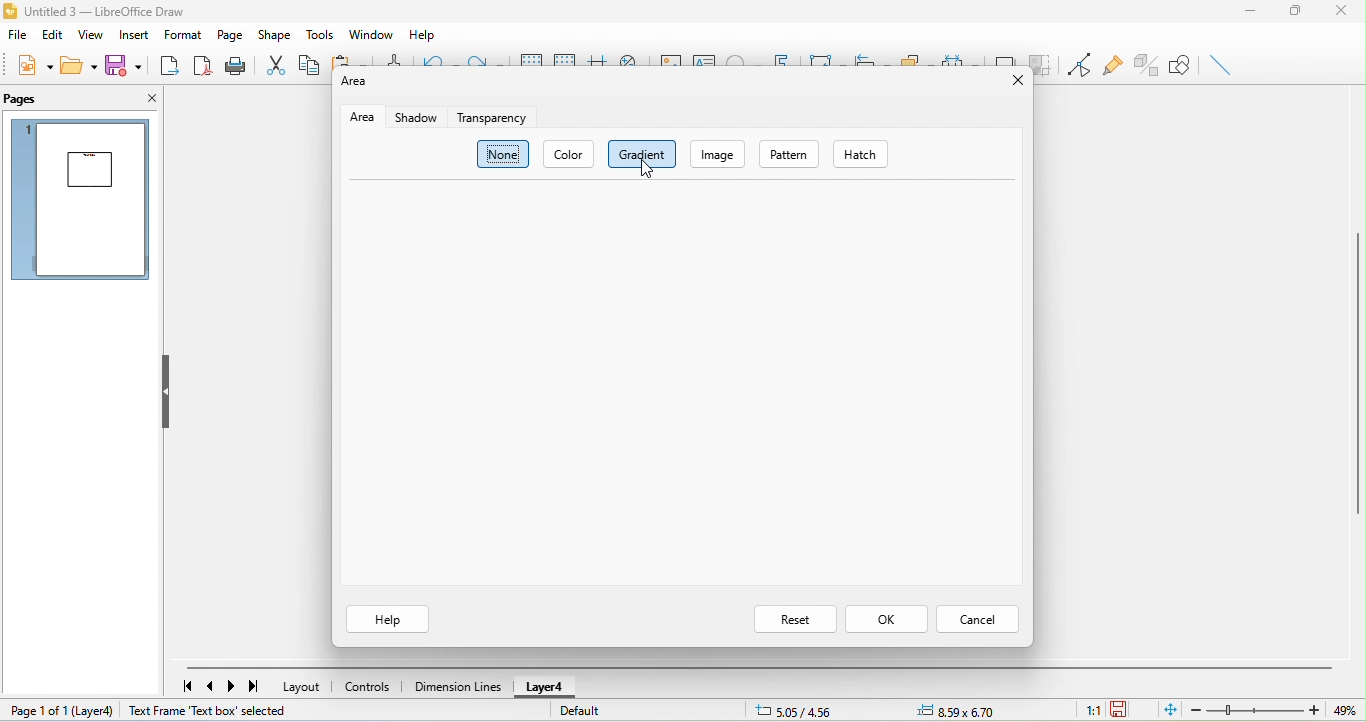 This screenshot has height=722, width=1366. I want to click on controls, so click(368, 688).